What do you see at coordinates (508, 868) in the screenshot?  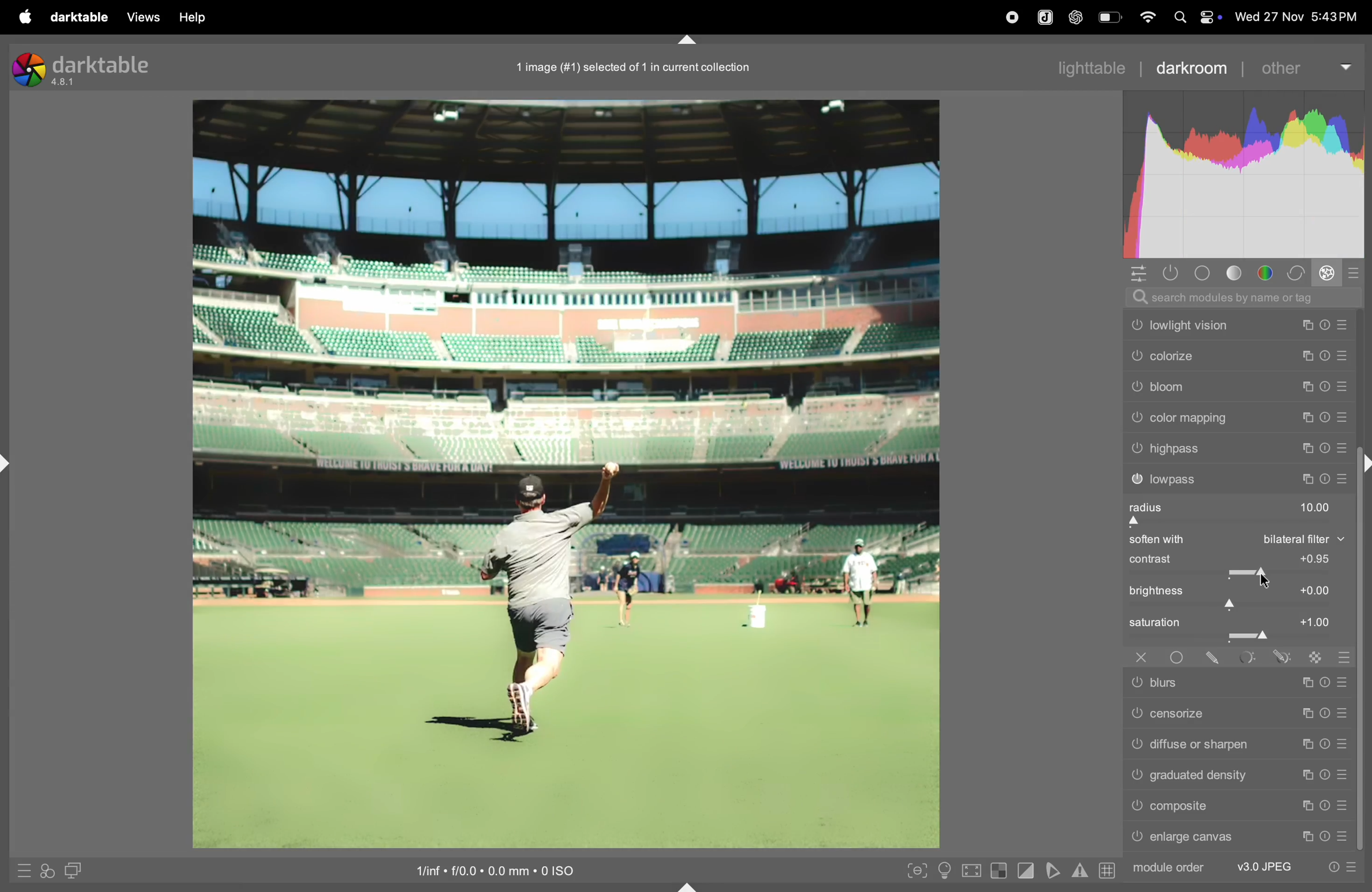 I see `iso` at bounding box center [508, 868].